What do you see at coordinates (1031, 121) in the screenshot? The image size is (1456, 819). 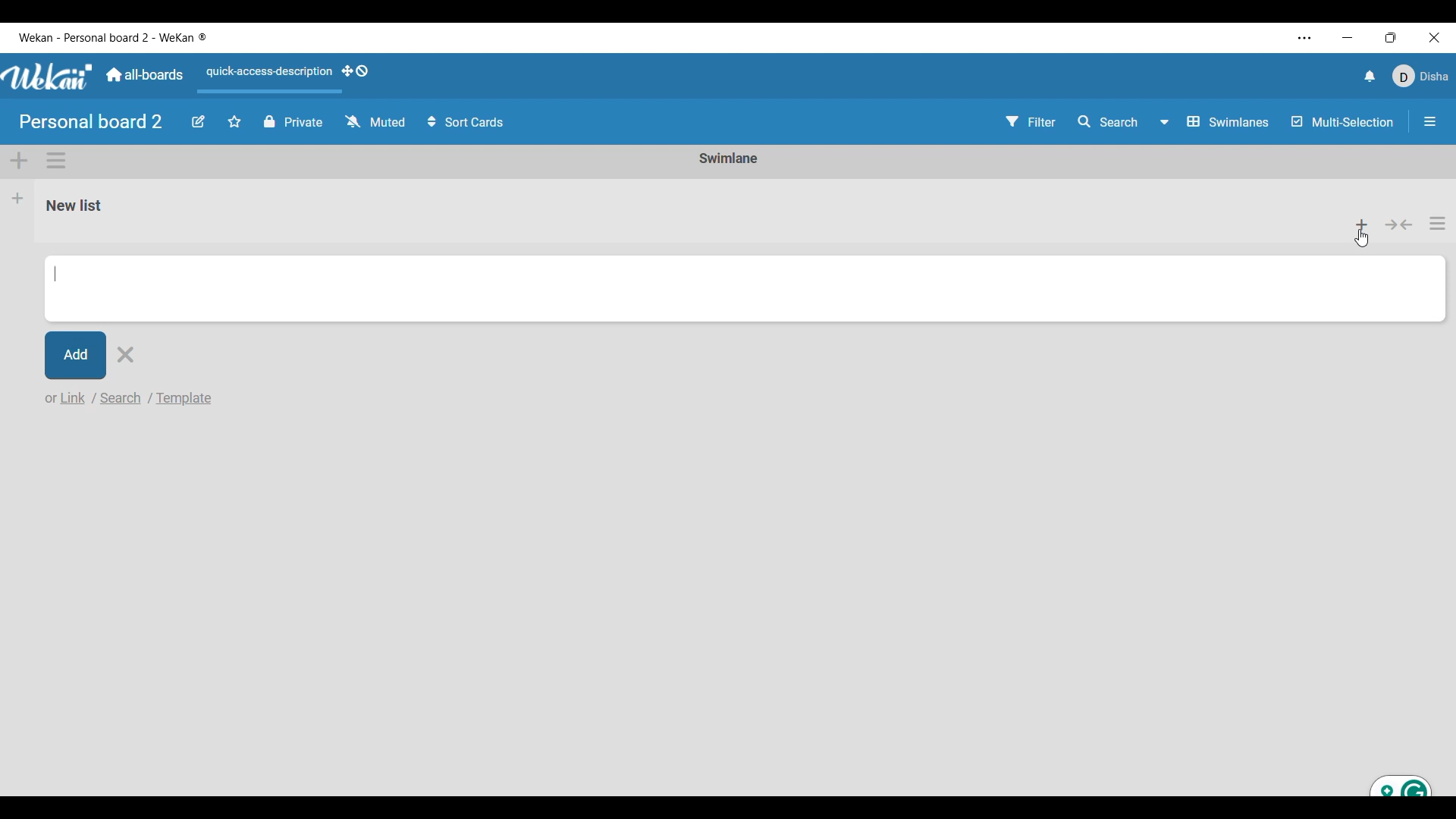 I see `Filter` at bounding box center [1031, 121].